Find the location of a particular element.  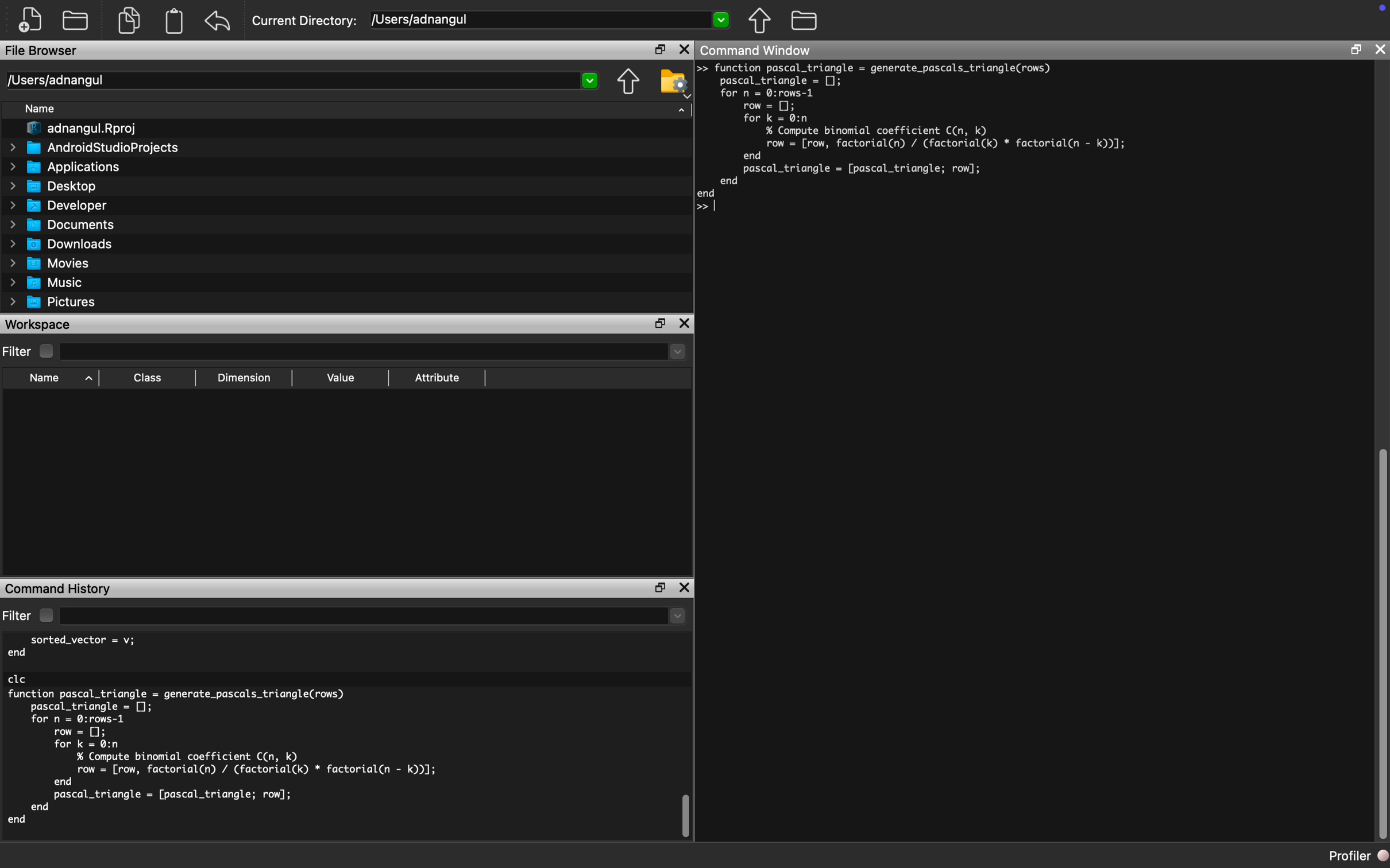

Desktop is located at coordinates (55, 187).